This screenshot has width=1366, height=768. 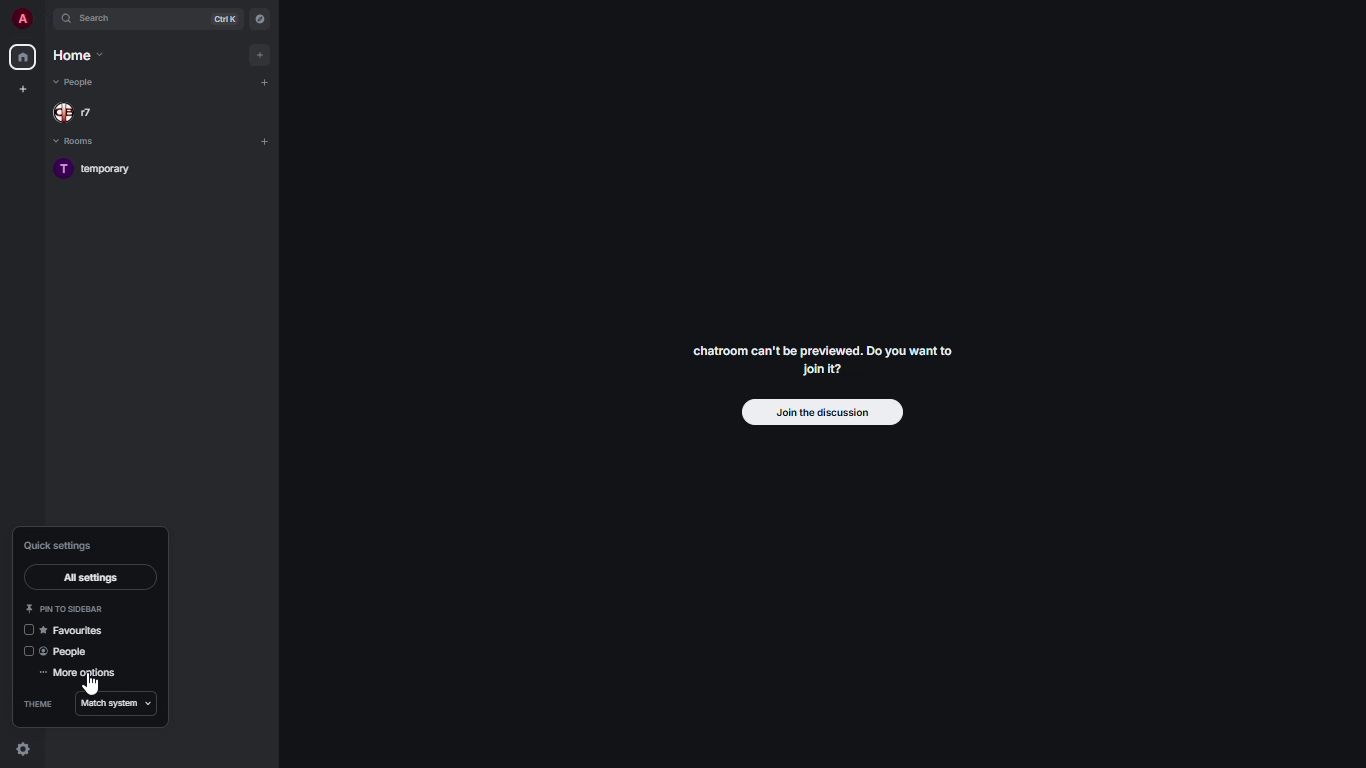 I want to click on match system, so click(x=119, y=703).